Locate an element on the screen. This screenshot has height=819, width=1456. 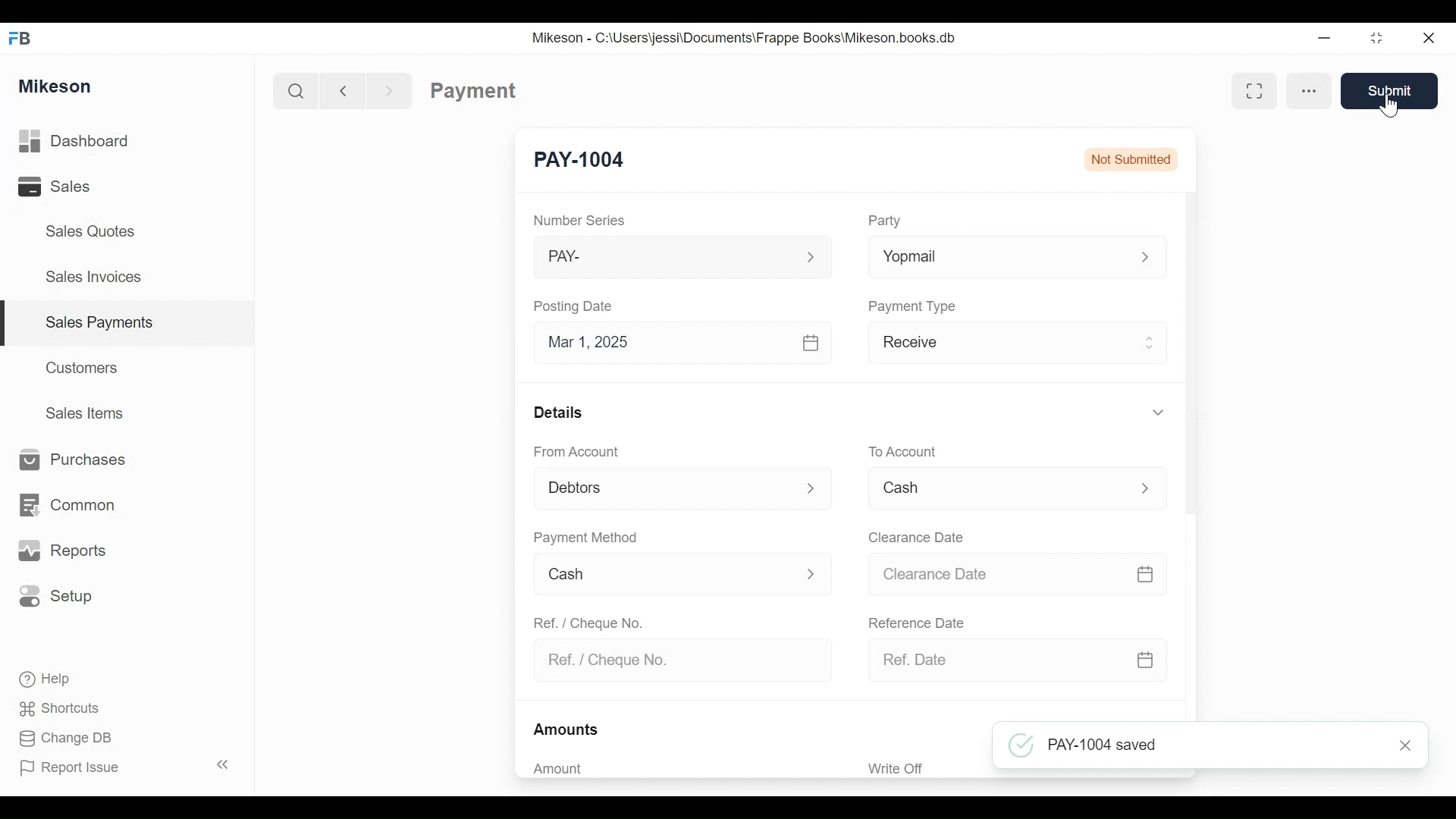
Details is located at coordinates (561, 413).